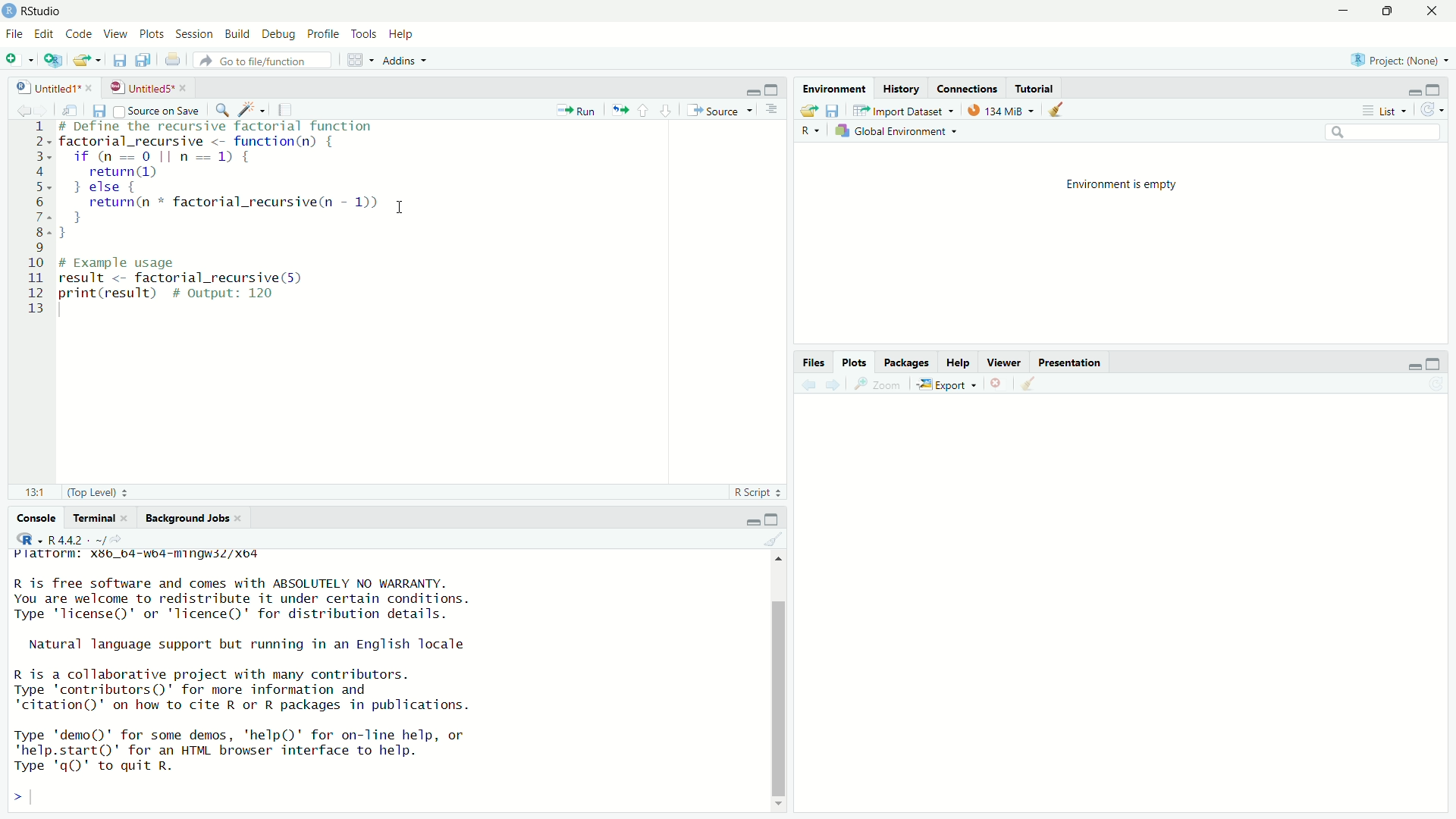 Image resolution: width=1456 pixels, height=819 pixels. Describe the element at coordinates (1061, 108) in the screenshot. I see `Clear console (Ctrl +L)` at that location.